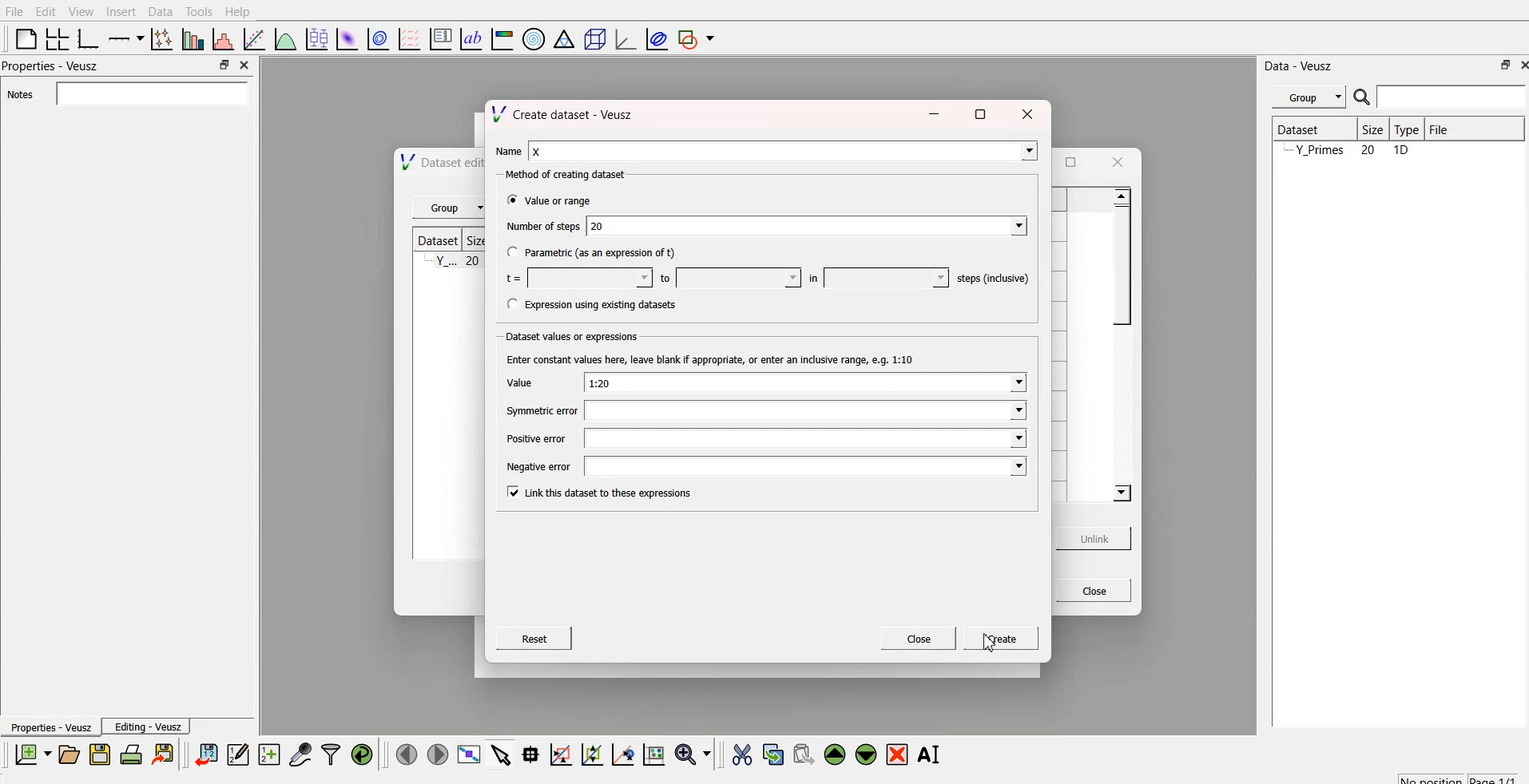 The image size is (1529, 784). I want to click on image color bar , so click(502, 41).